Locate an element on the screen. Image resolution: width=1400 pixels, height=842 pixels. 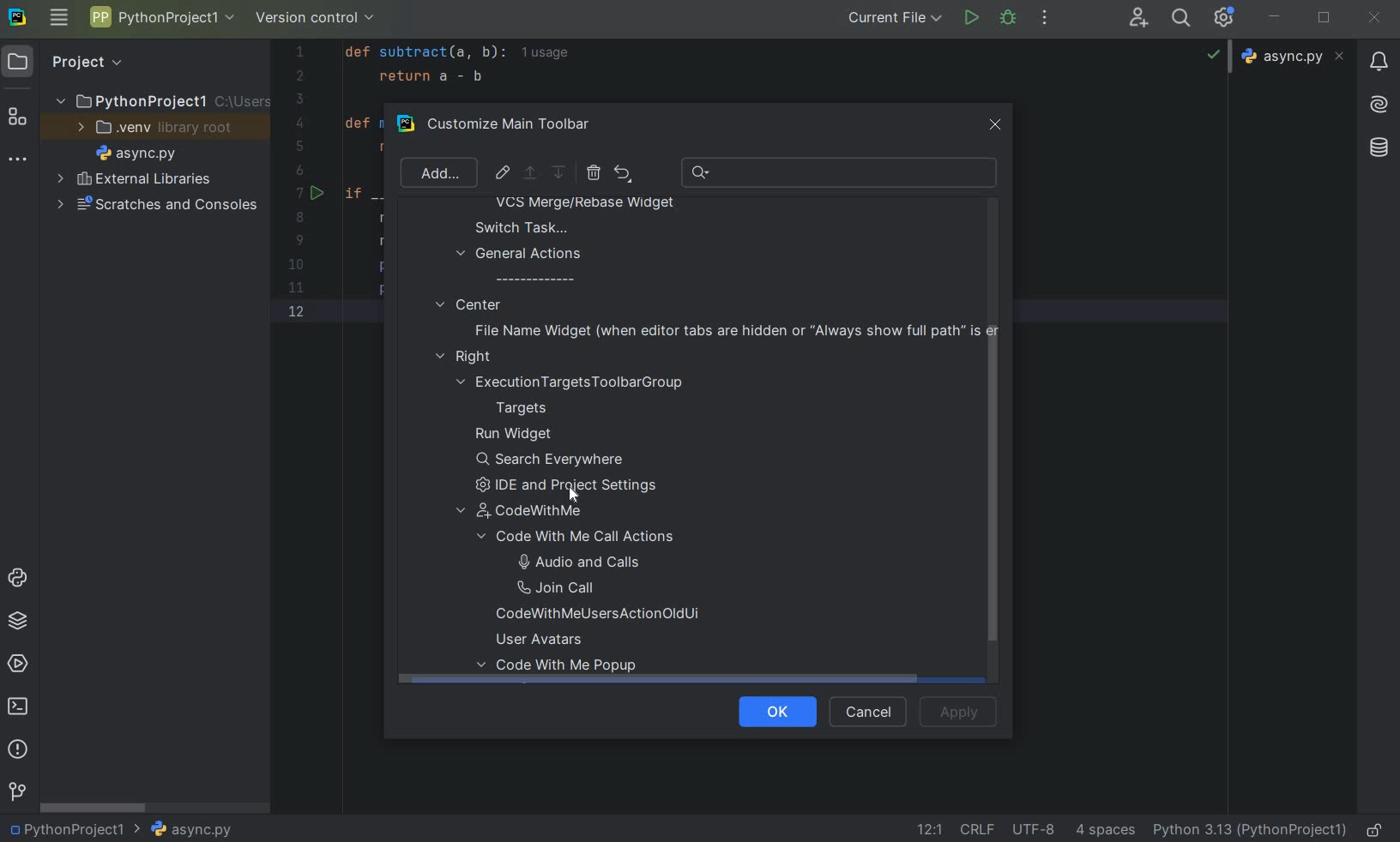
user avatars is located at coordinates (546, 640).